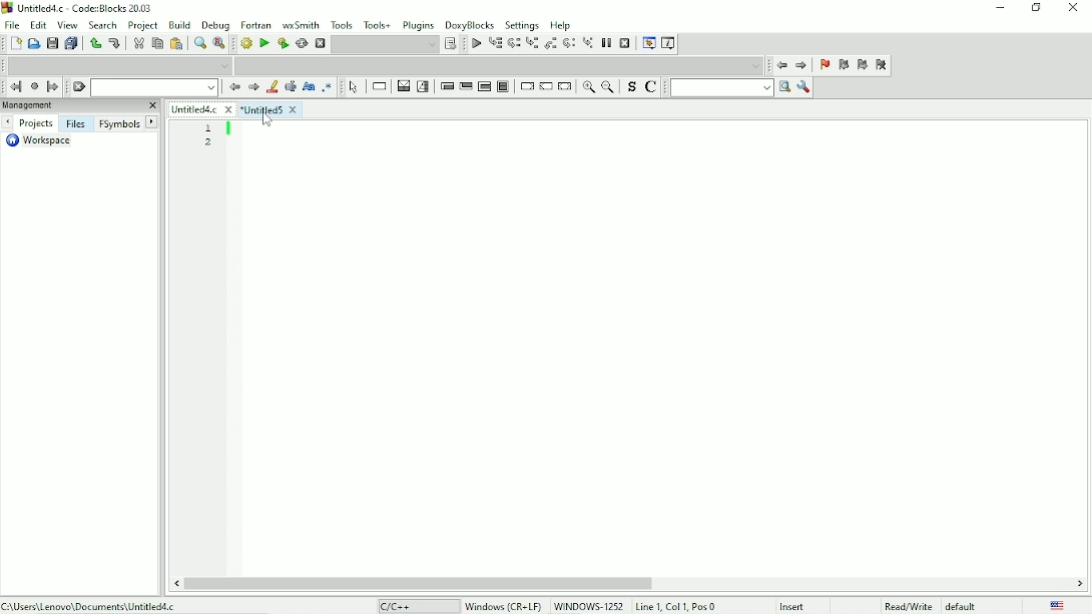  Describe the element at coordinates (157, 44) in the screenshot. I see `Copy` at that location.